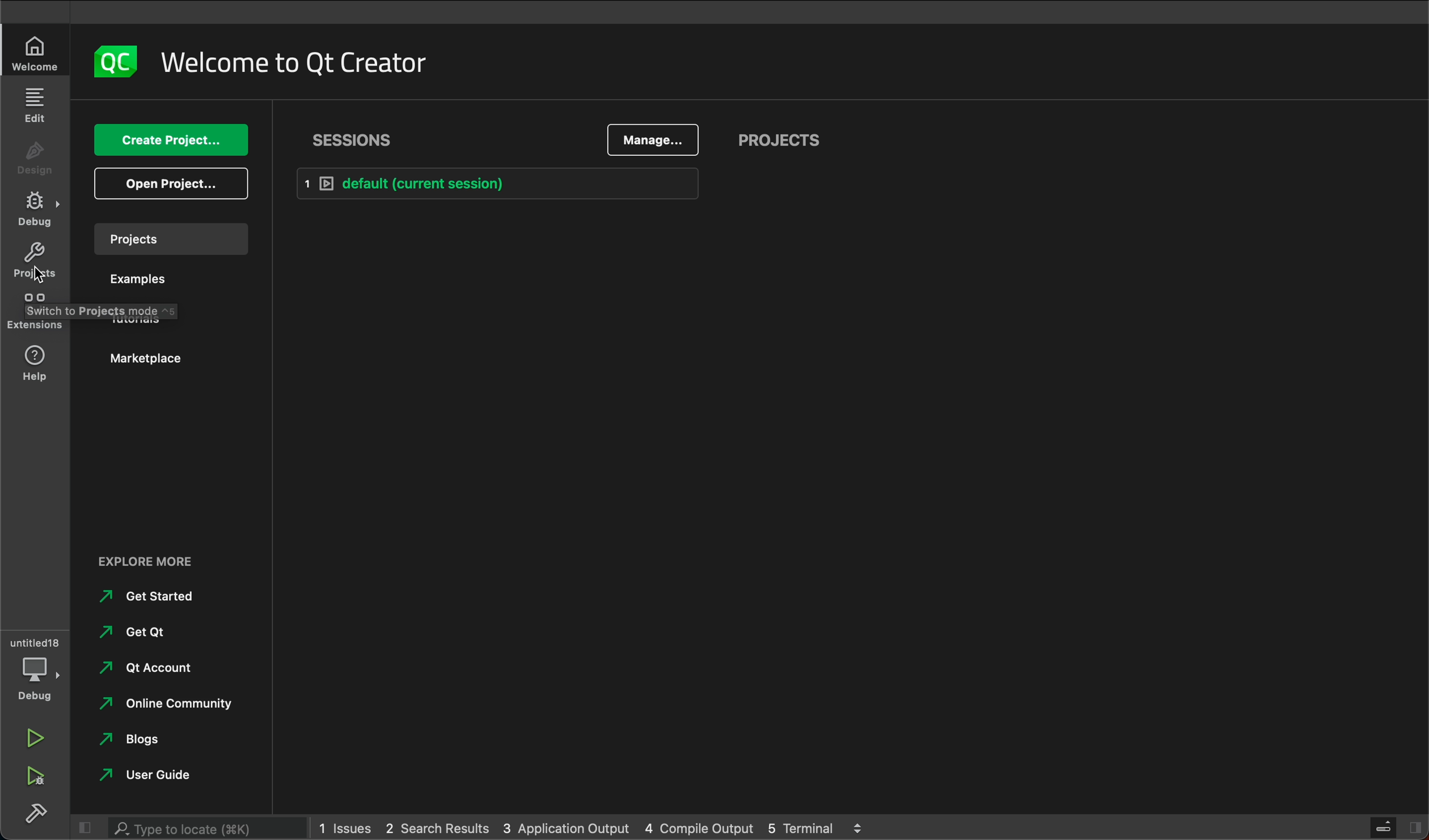 The image size is (1429, 840). What do you see at coordinates (90, 827) in the screenshot?
I see `close slidebar` at bounding box center [90, 827].